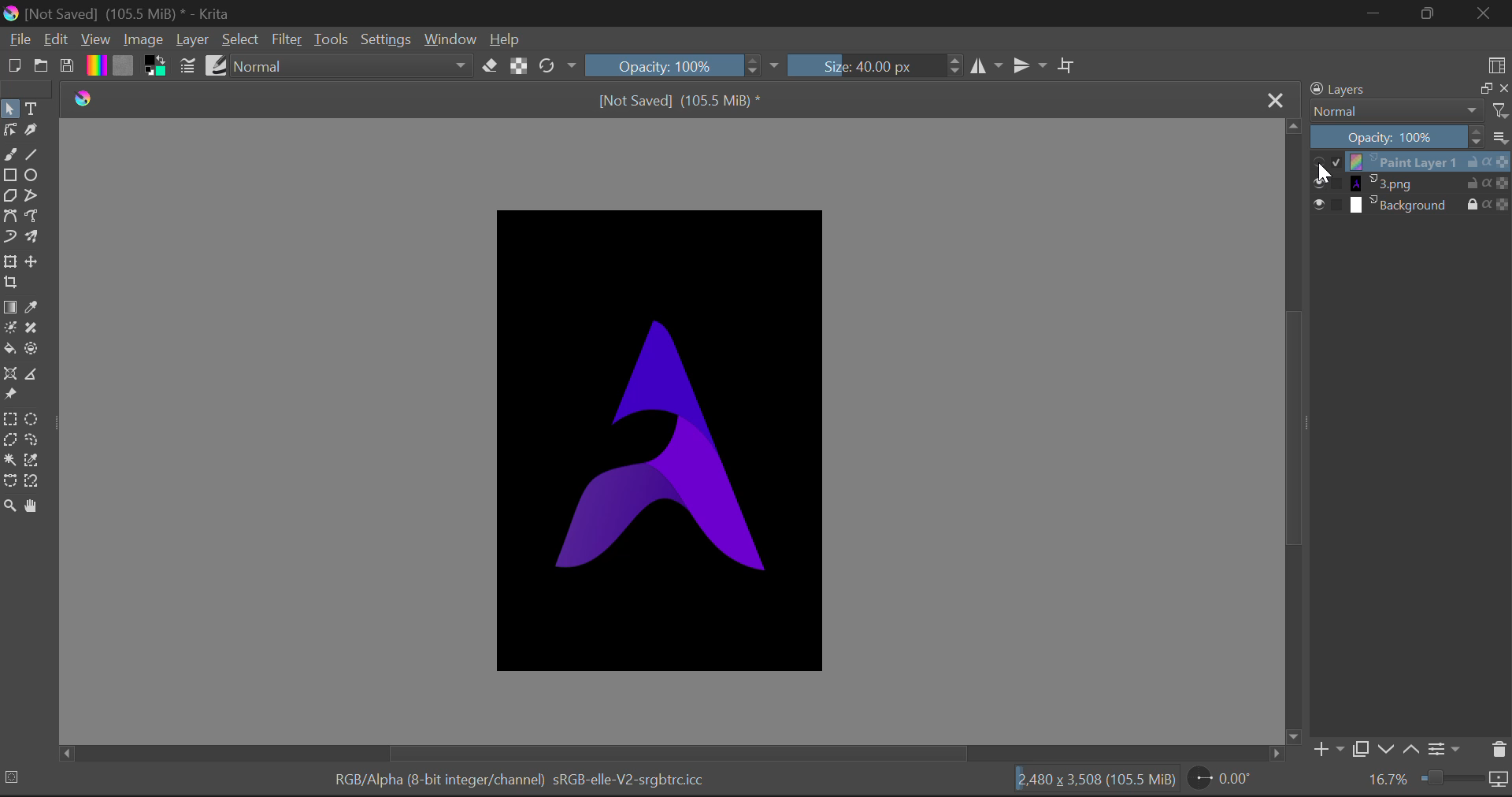 Image resolution: width=1512 pixels, height=797 pixels. I want to click on Layers, so click(1378, 88).